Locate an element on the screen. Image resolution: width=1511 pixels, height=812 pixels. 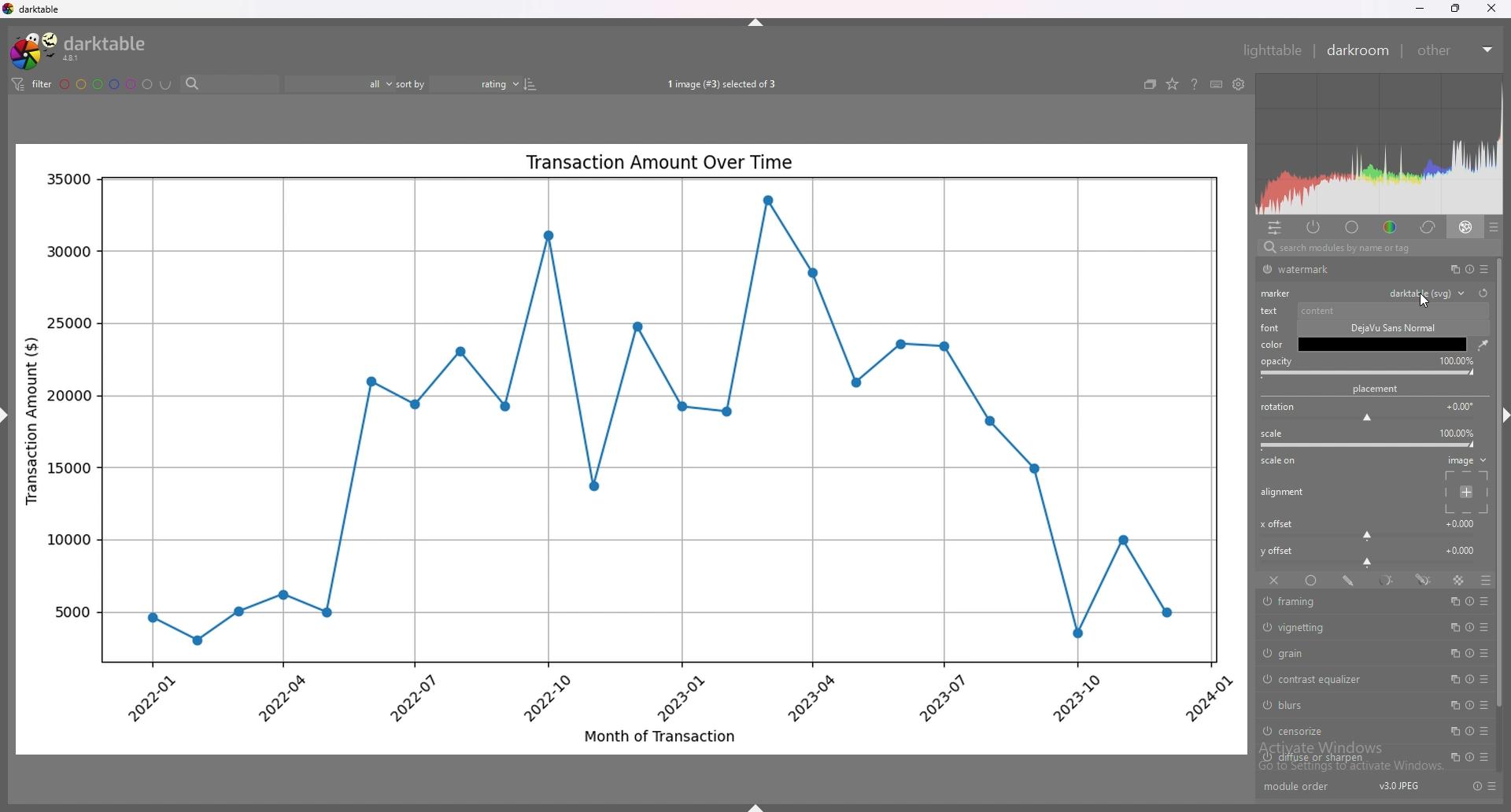
correct is located at coordinates (1426, 227).